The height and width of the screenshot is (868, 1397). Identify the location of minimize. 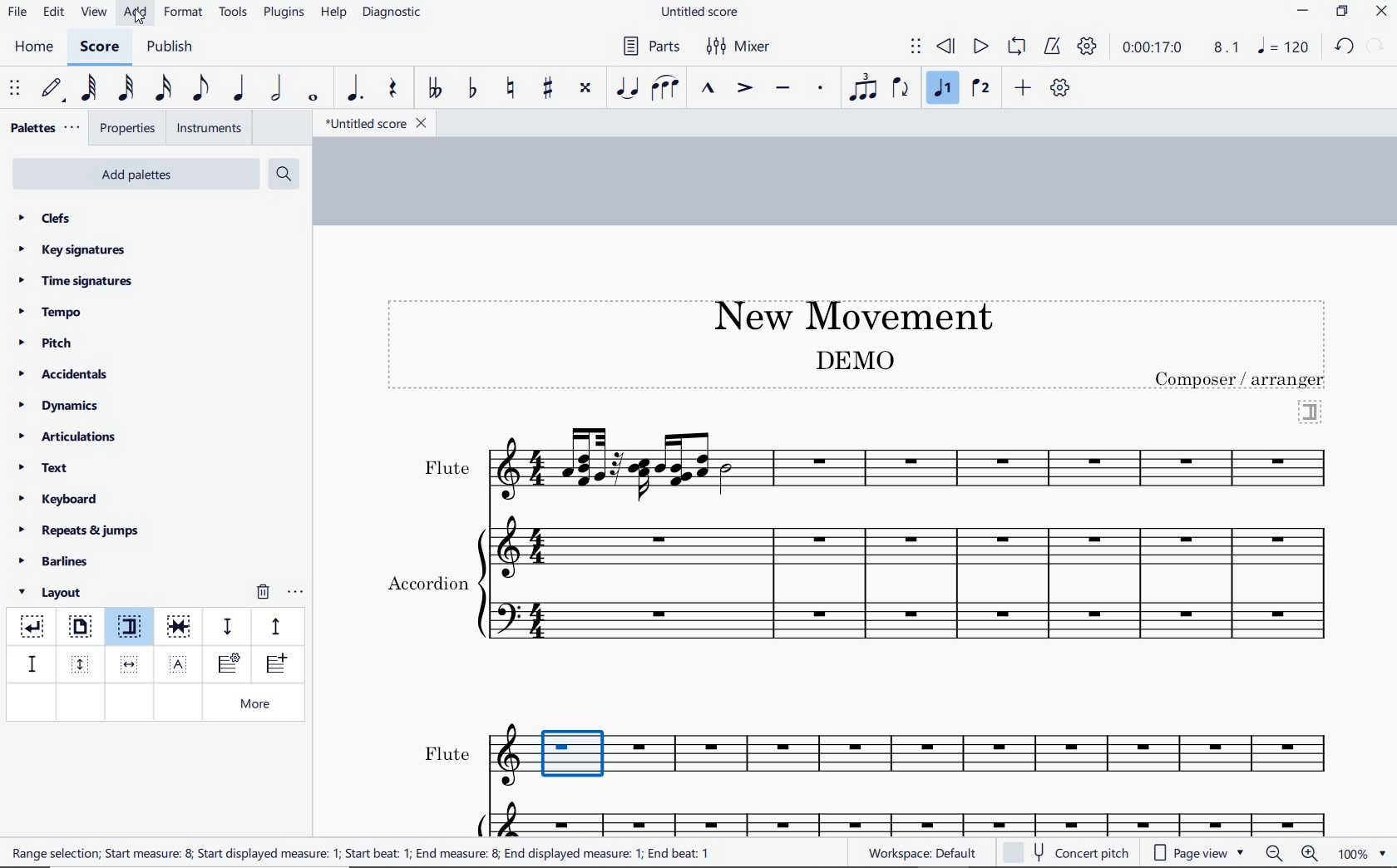
(1303, 12).